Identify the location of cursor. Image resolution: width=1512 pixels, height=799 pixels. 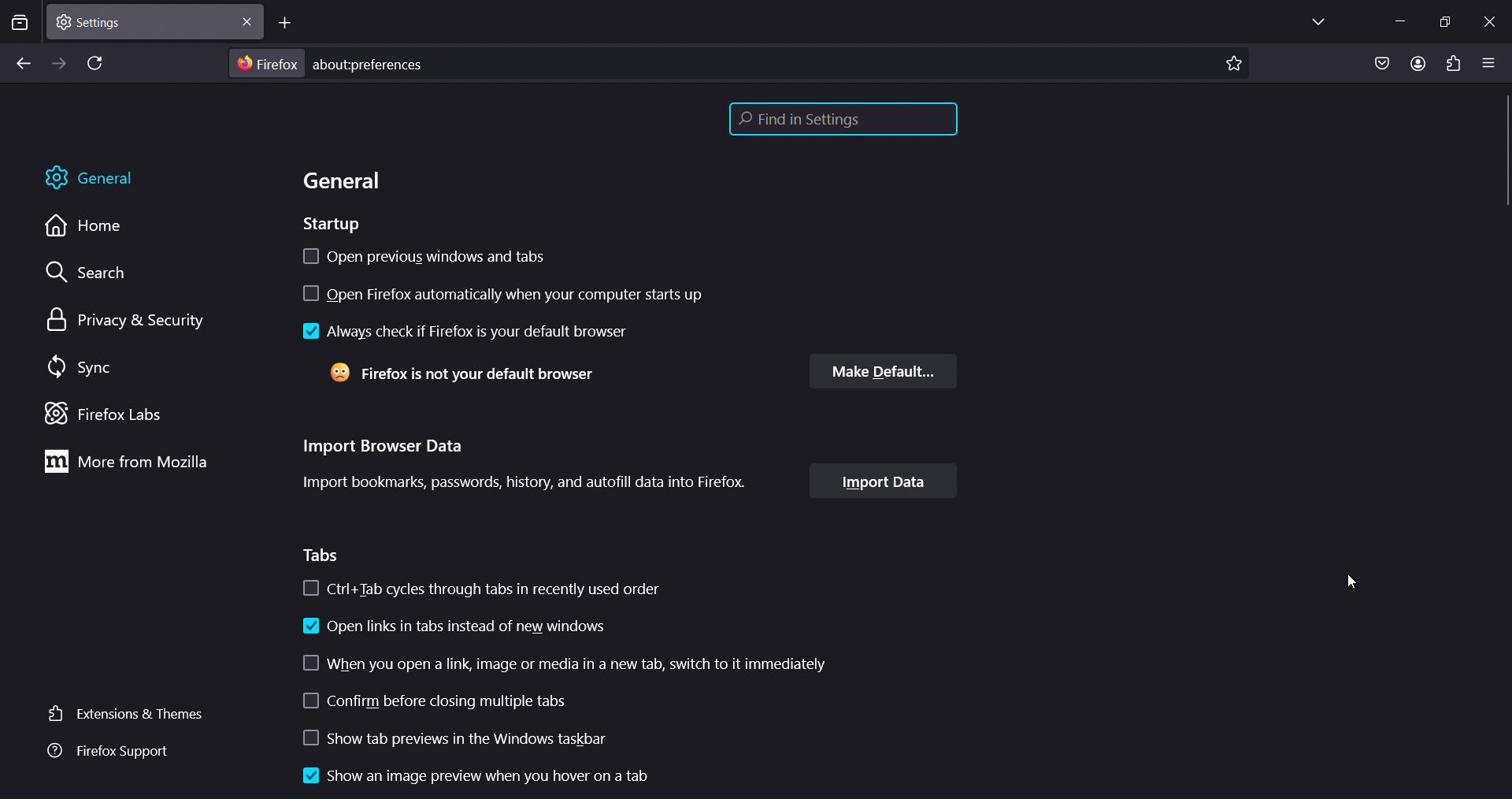
(1354, 579).